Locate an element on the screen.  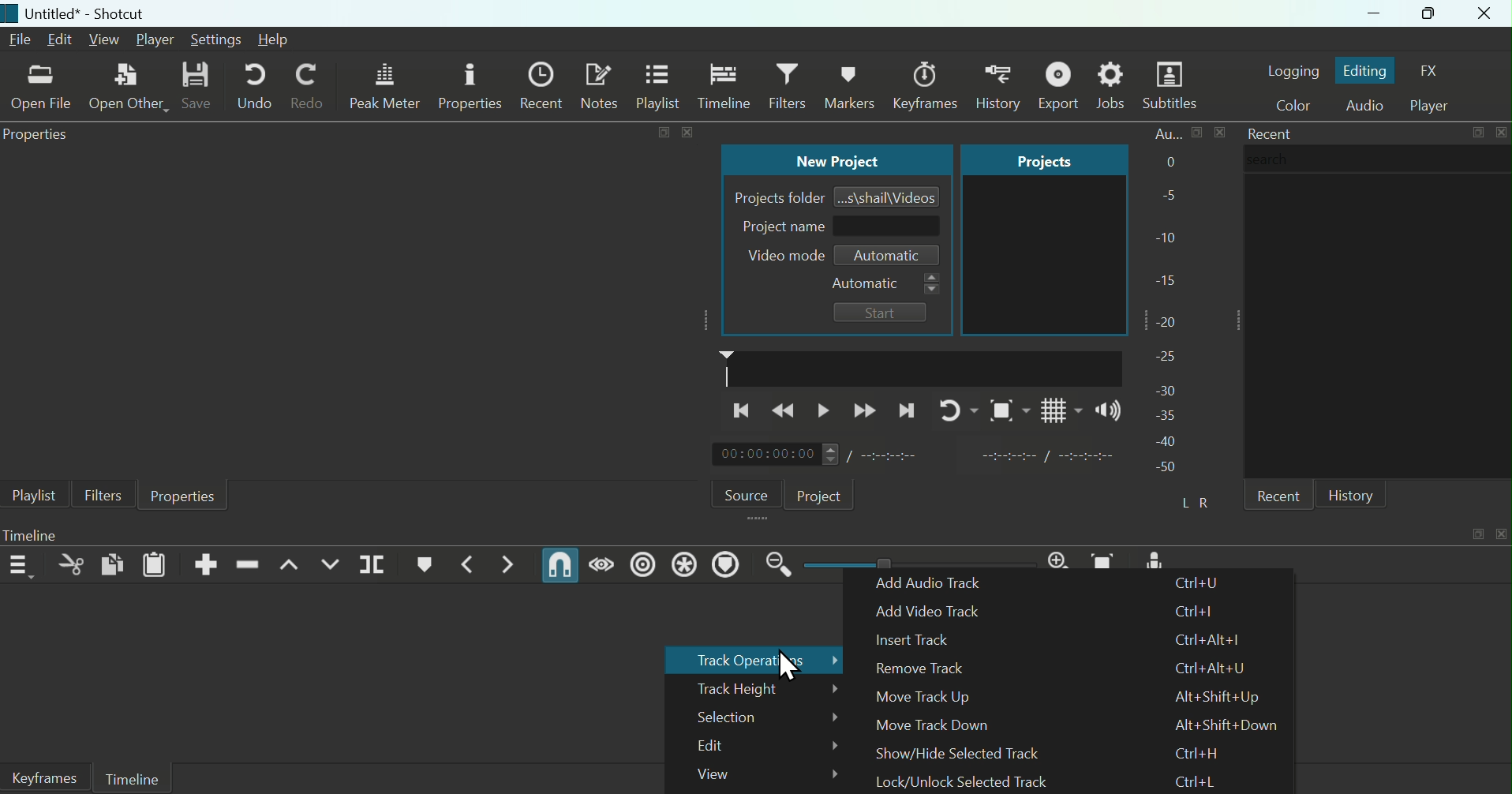
History is located at coordinates (1354, 493).